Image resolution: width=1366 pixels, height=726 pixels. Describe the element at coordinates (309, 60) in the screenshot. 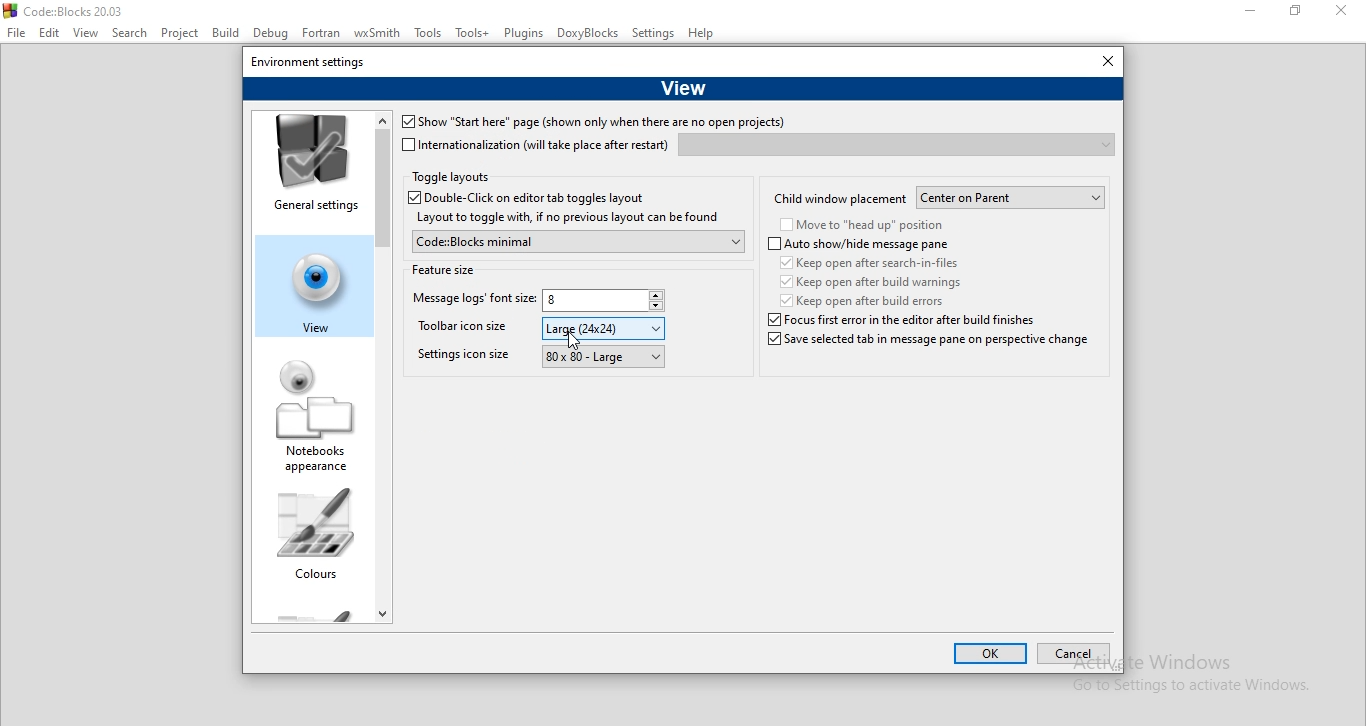

I see `environment settings` at that location.